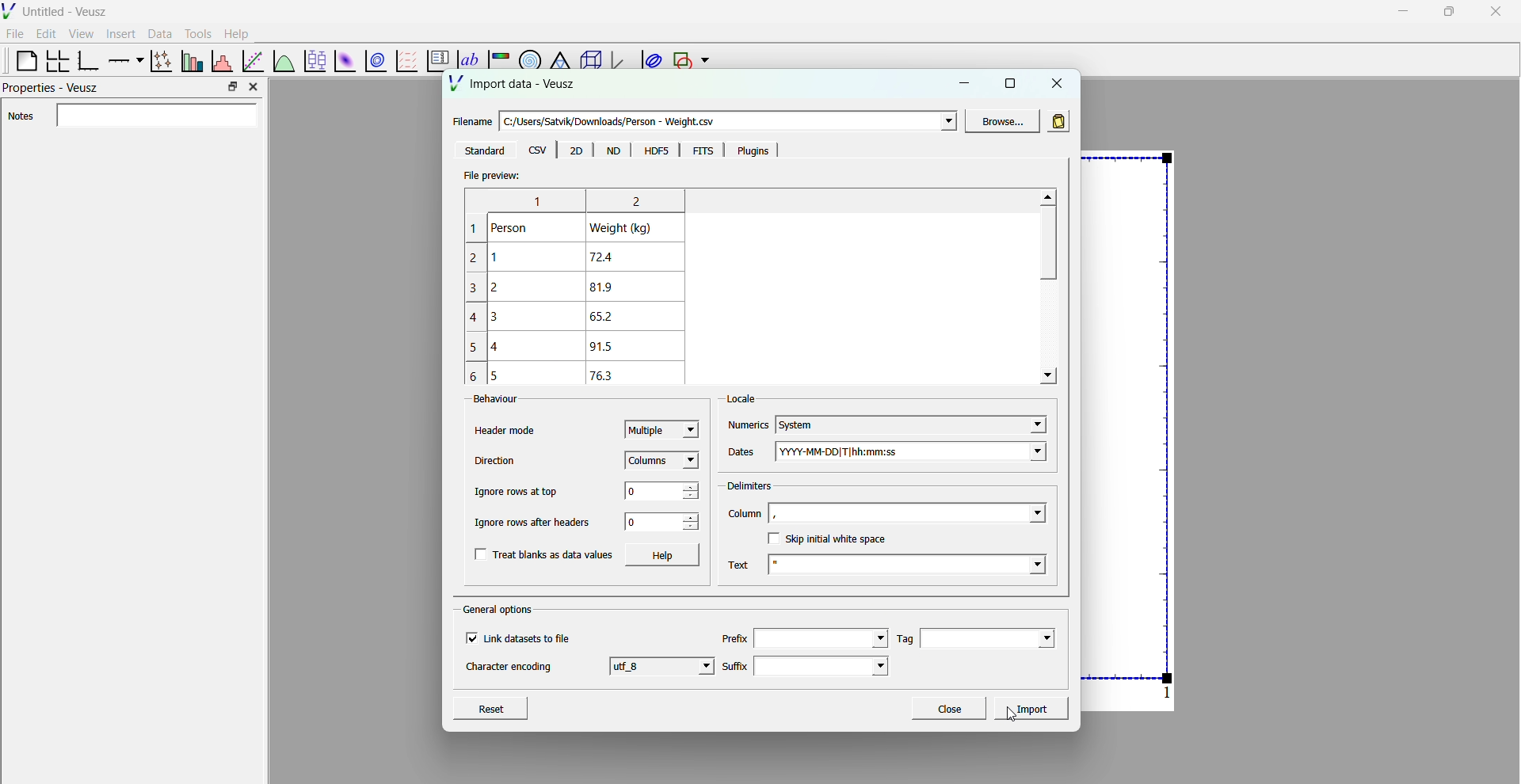 This screenshot has width=1521, height=784. Describe the element at coordinates (1047, 376) in the screenshot. I see `down` at that location.